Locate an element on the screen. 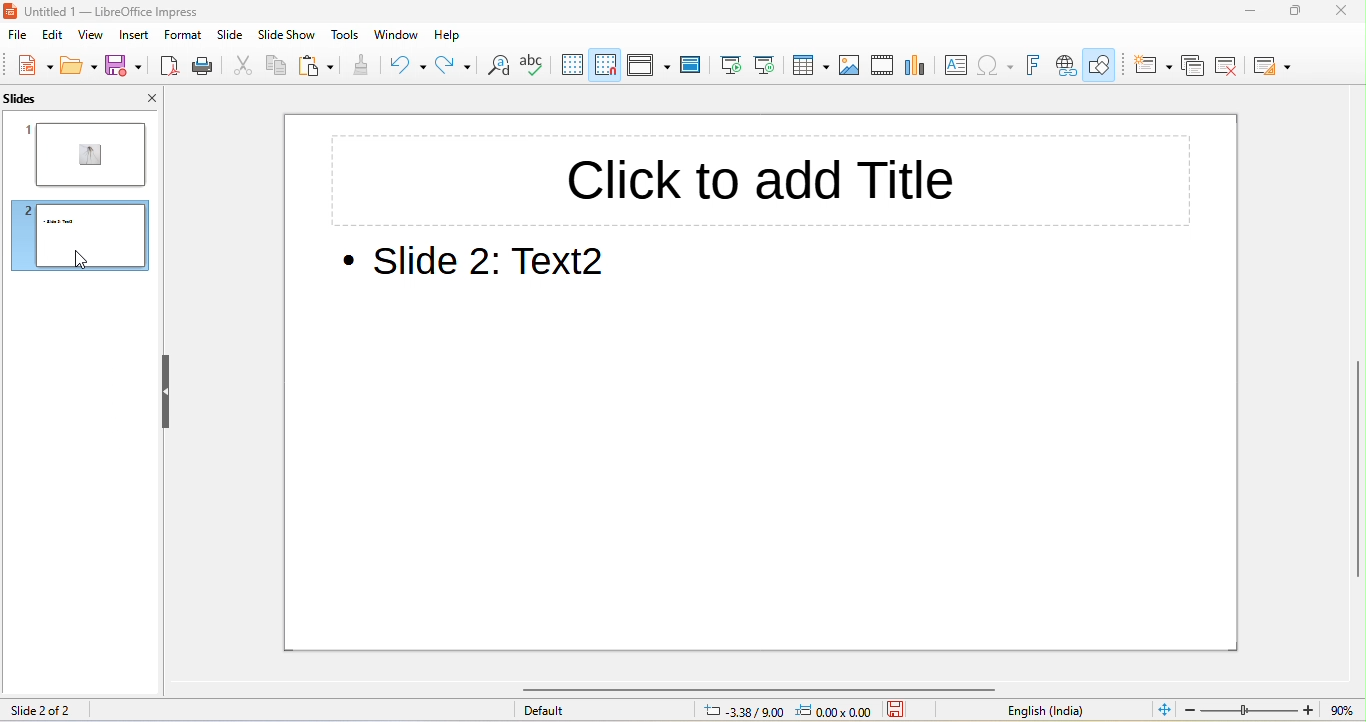 The image size is (1366, 722). special character is located at coordinates (997, 65).